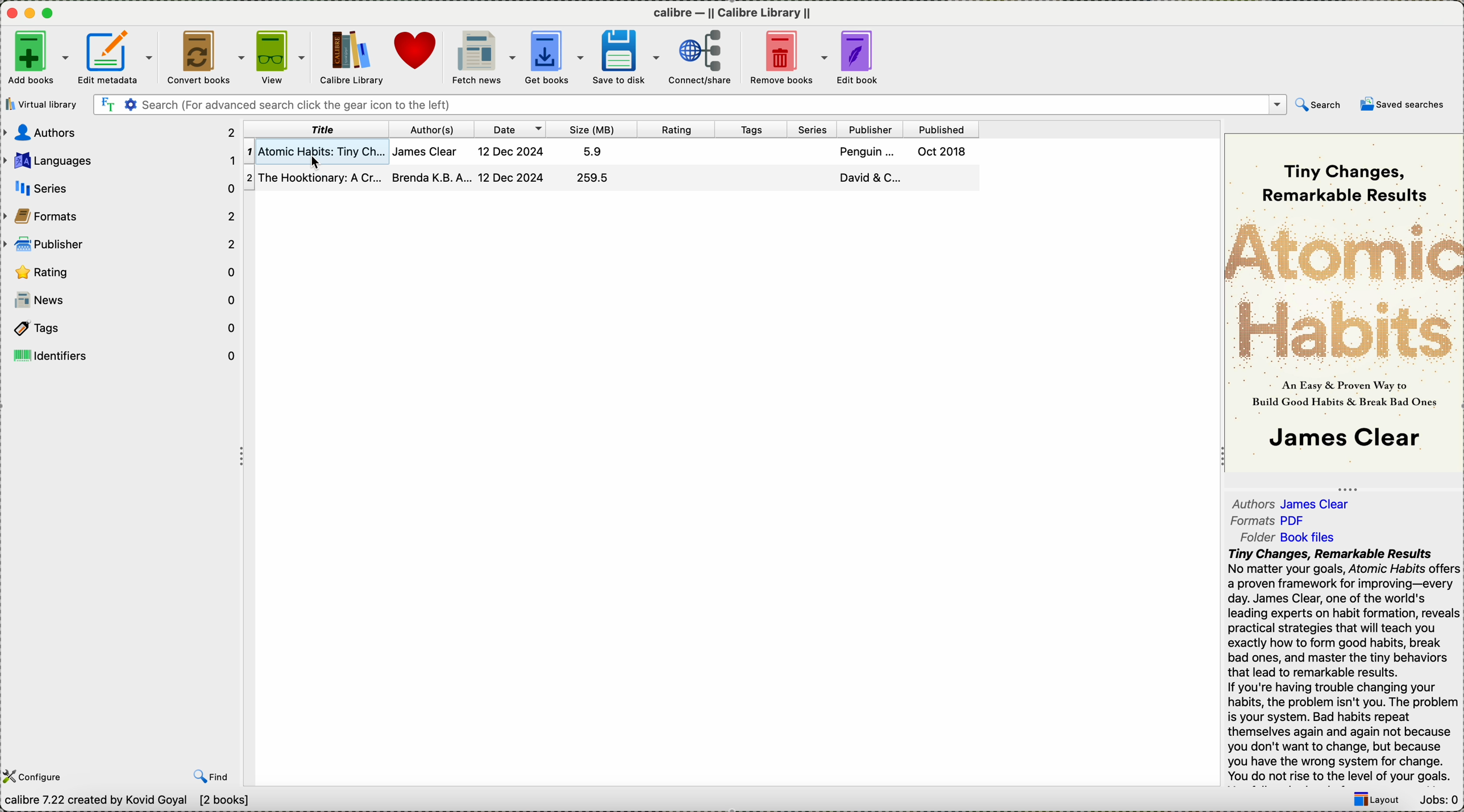  I want to click on book cover preview Atomic Habits, so click(1344, 302).